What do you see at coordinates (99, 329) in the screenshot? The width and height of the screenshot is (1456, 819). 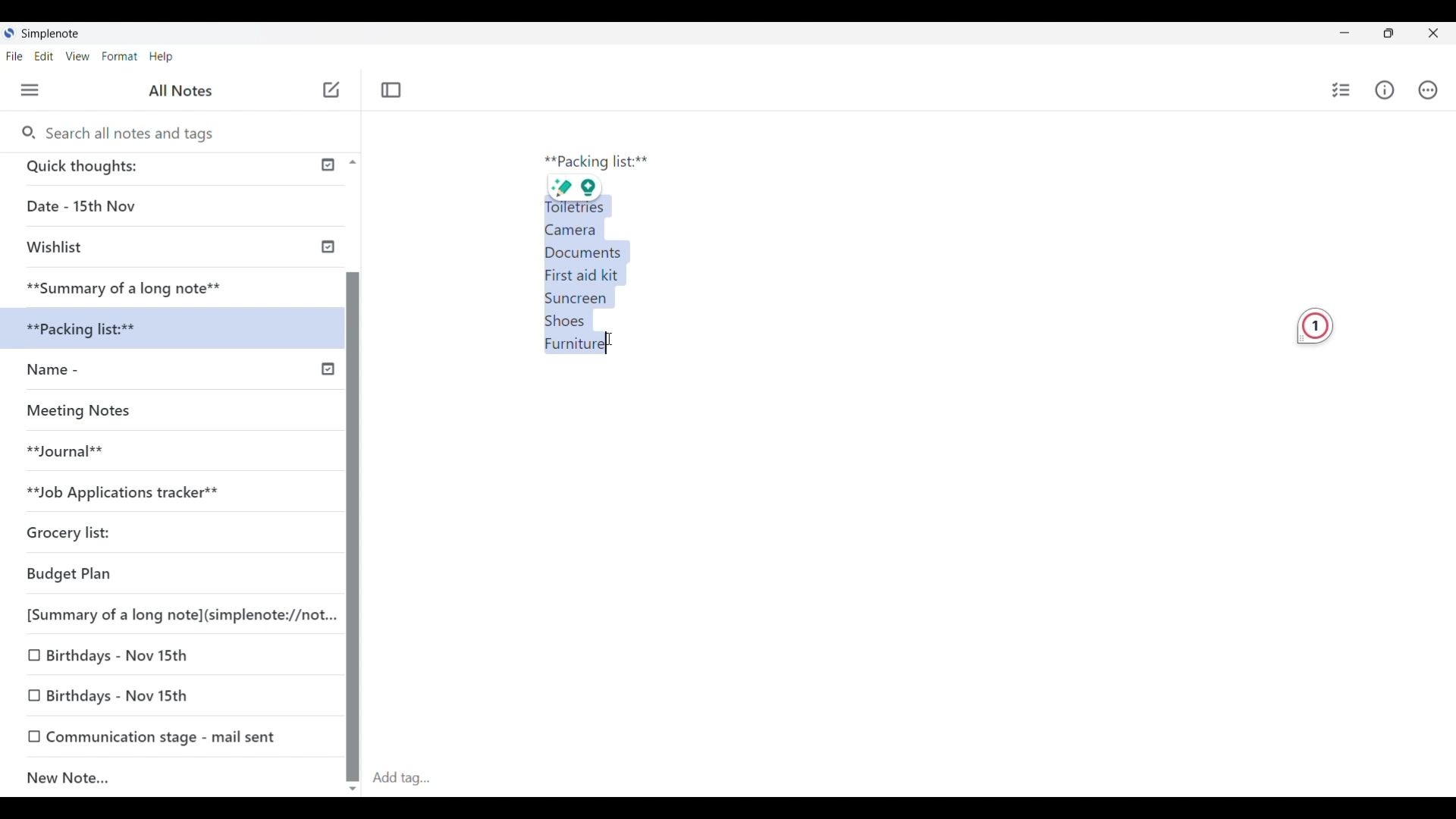 I see `xx
Packi
acking list:**` at bounding box center [99, 329].